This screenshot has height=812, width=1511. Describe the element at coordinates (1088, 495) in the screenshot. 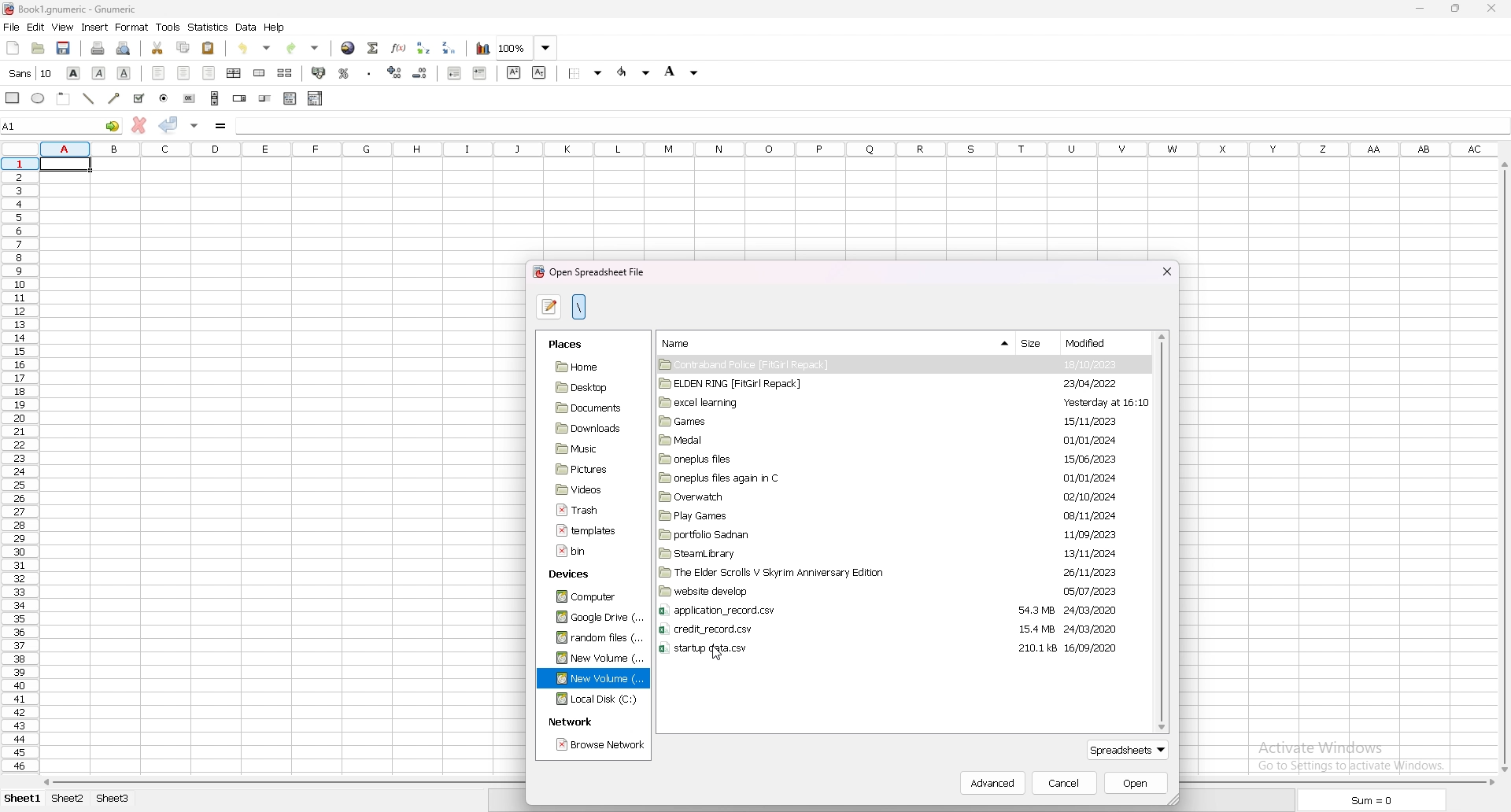

I see `02/10/2024` at that location.